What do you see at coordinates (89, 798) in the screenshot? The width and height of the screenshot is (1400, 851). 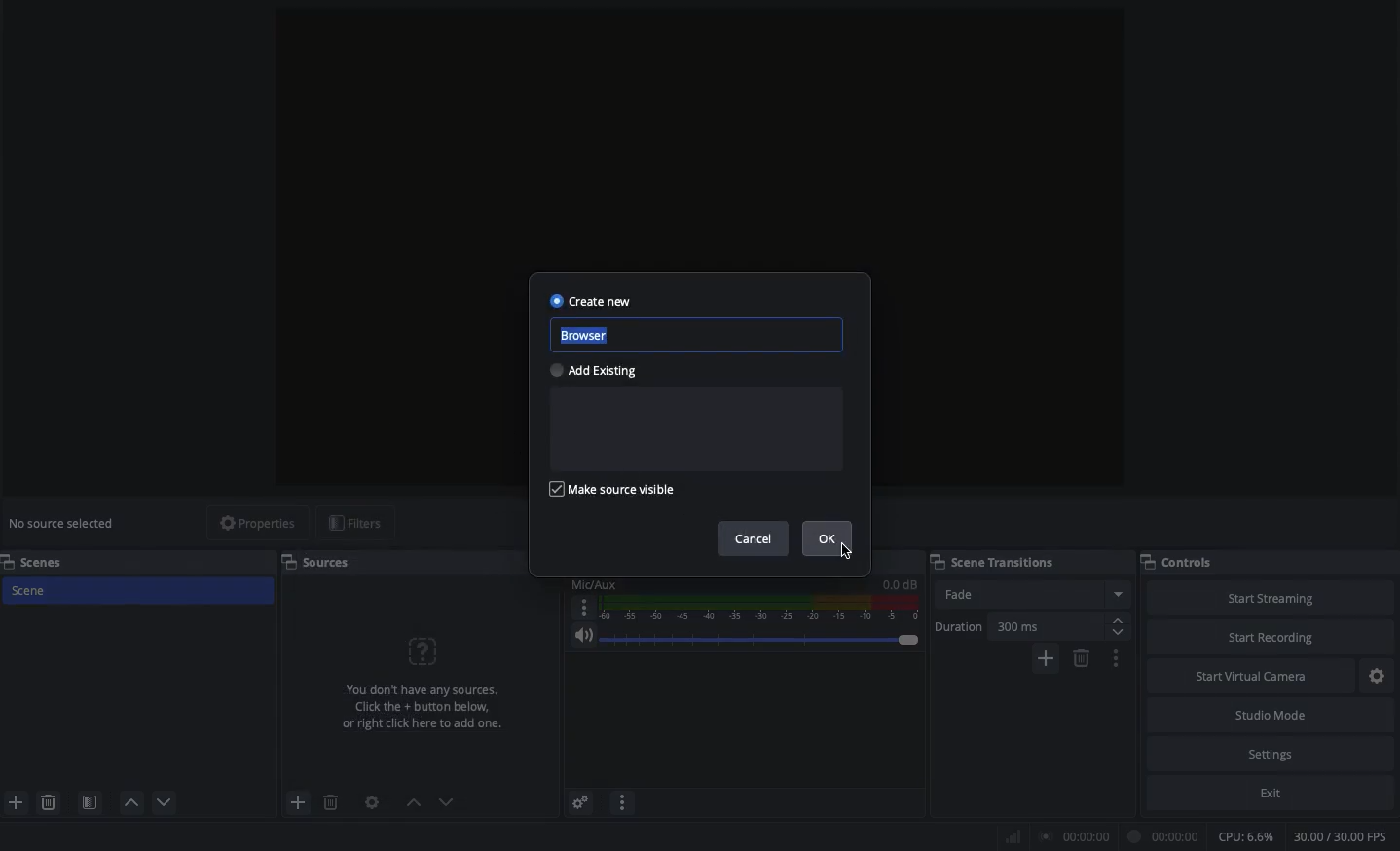 I see `Scene filter` at bounding box center [89, 798].